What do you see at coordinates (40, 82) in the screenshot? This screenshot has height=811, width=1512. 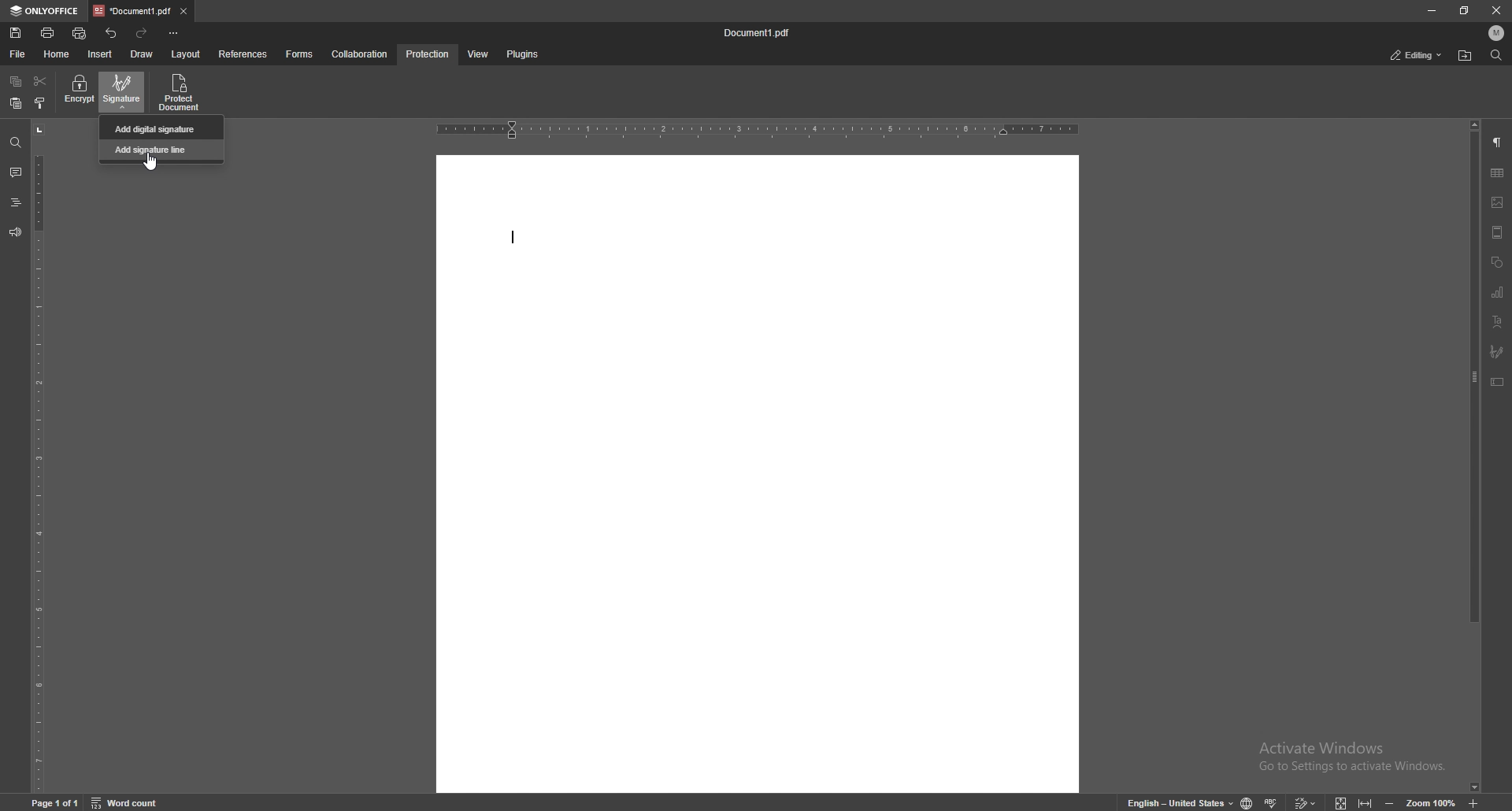 I see `cut` at bounding box center [40, 82].